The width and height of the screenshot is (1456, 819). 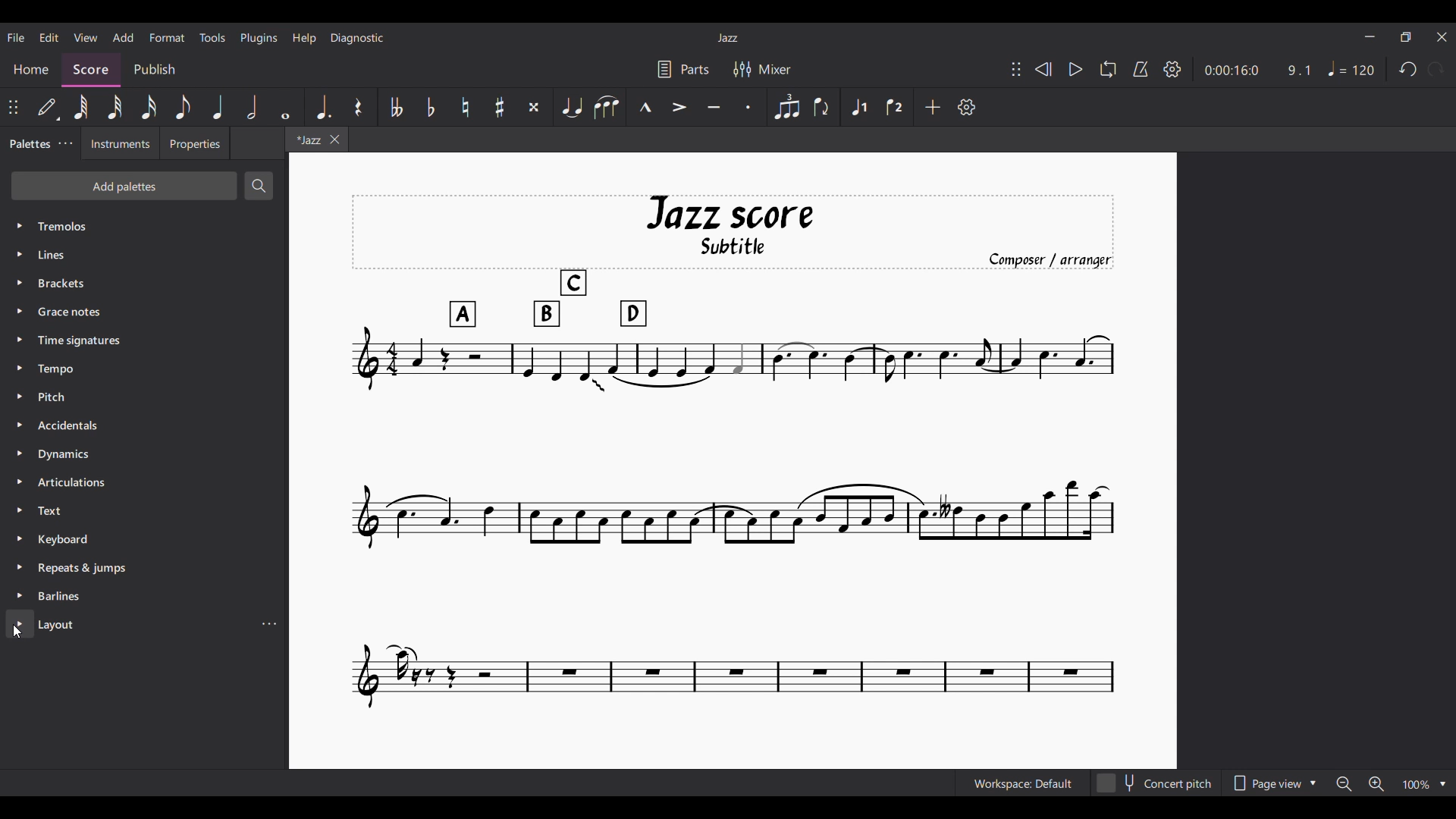 I want to click on Settings, so click(x=1172, y=70).